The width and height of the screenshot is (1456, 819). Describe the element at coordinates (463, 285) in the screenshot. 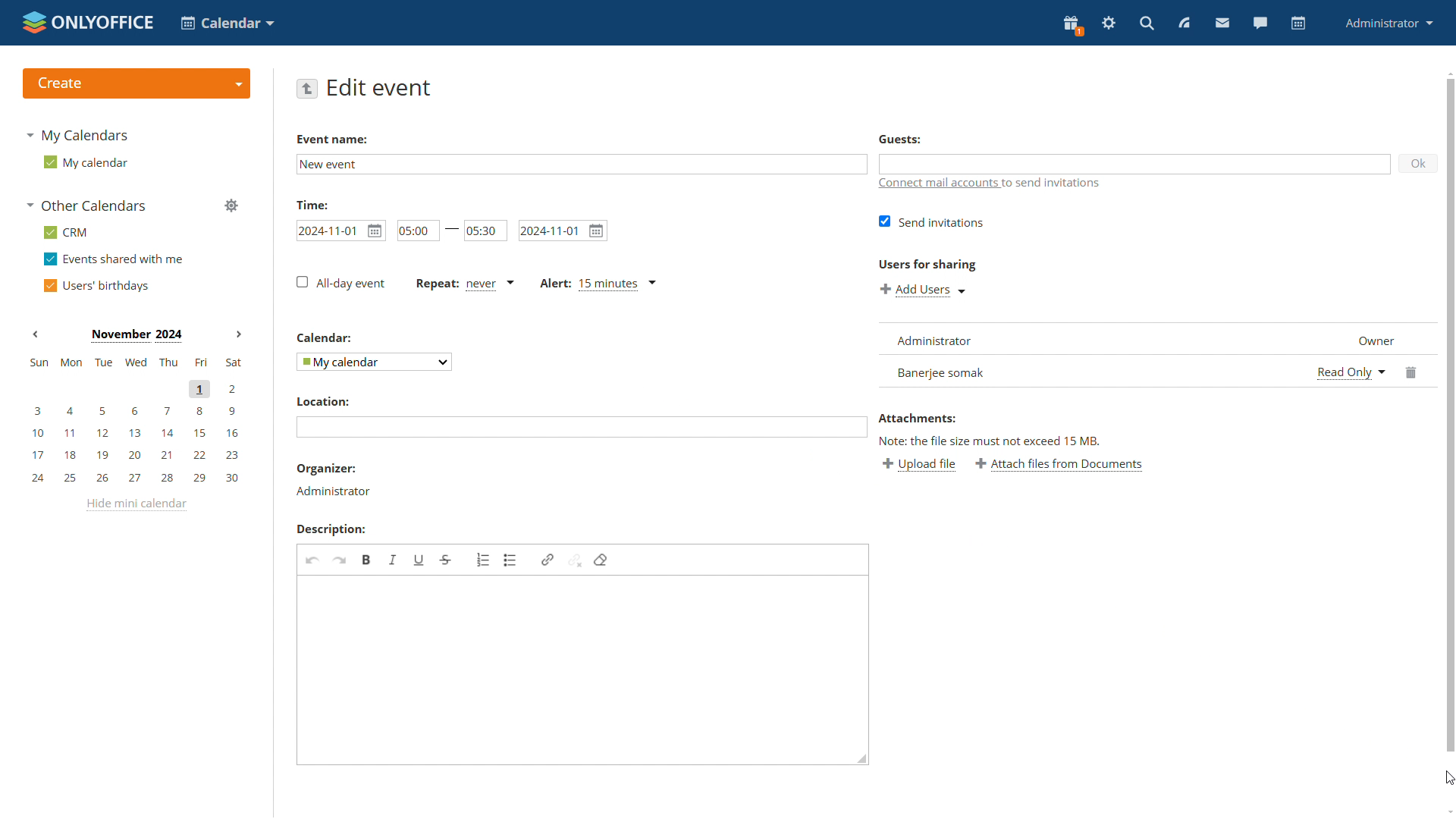

I see `event repetetition` at that location.